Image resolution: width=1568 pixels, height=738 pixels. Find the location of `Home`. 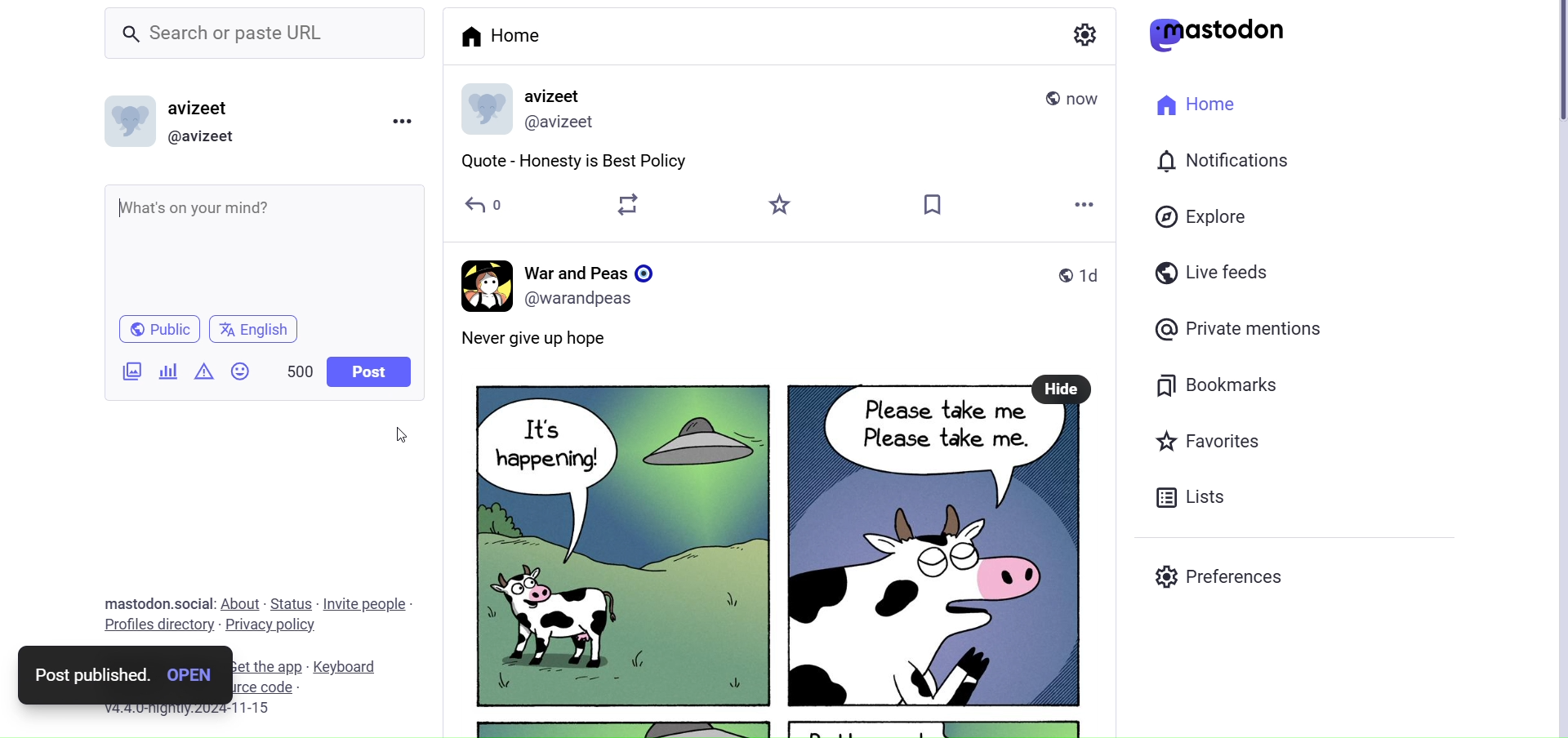

Home is located at coordinates (501, 41).